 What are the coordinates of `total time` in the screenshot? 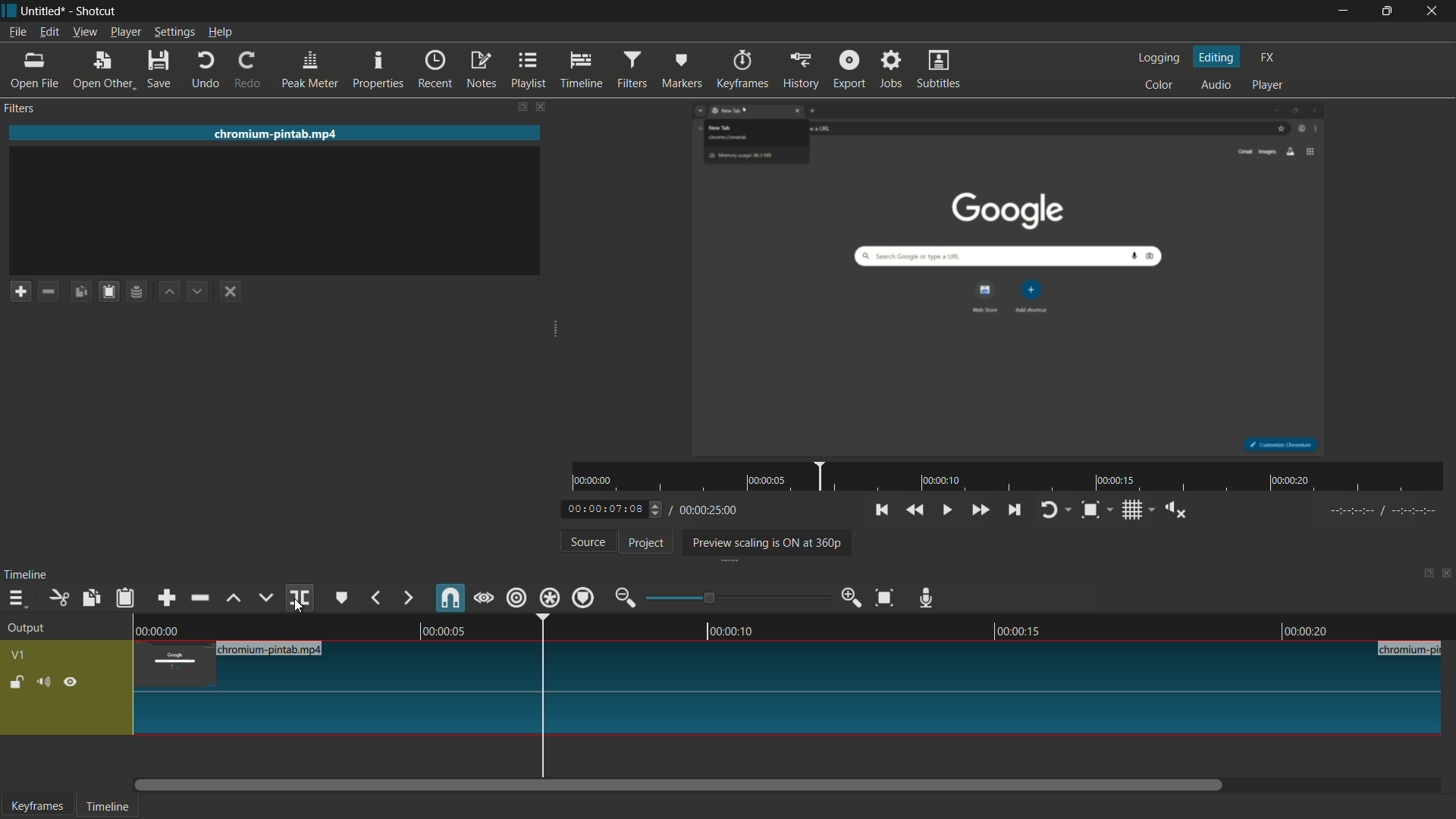 It's located at (707, 510).